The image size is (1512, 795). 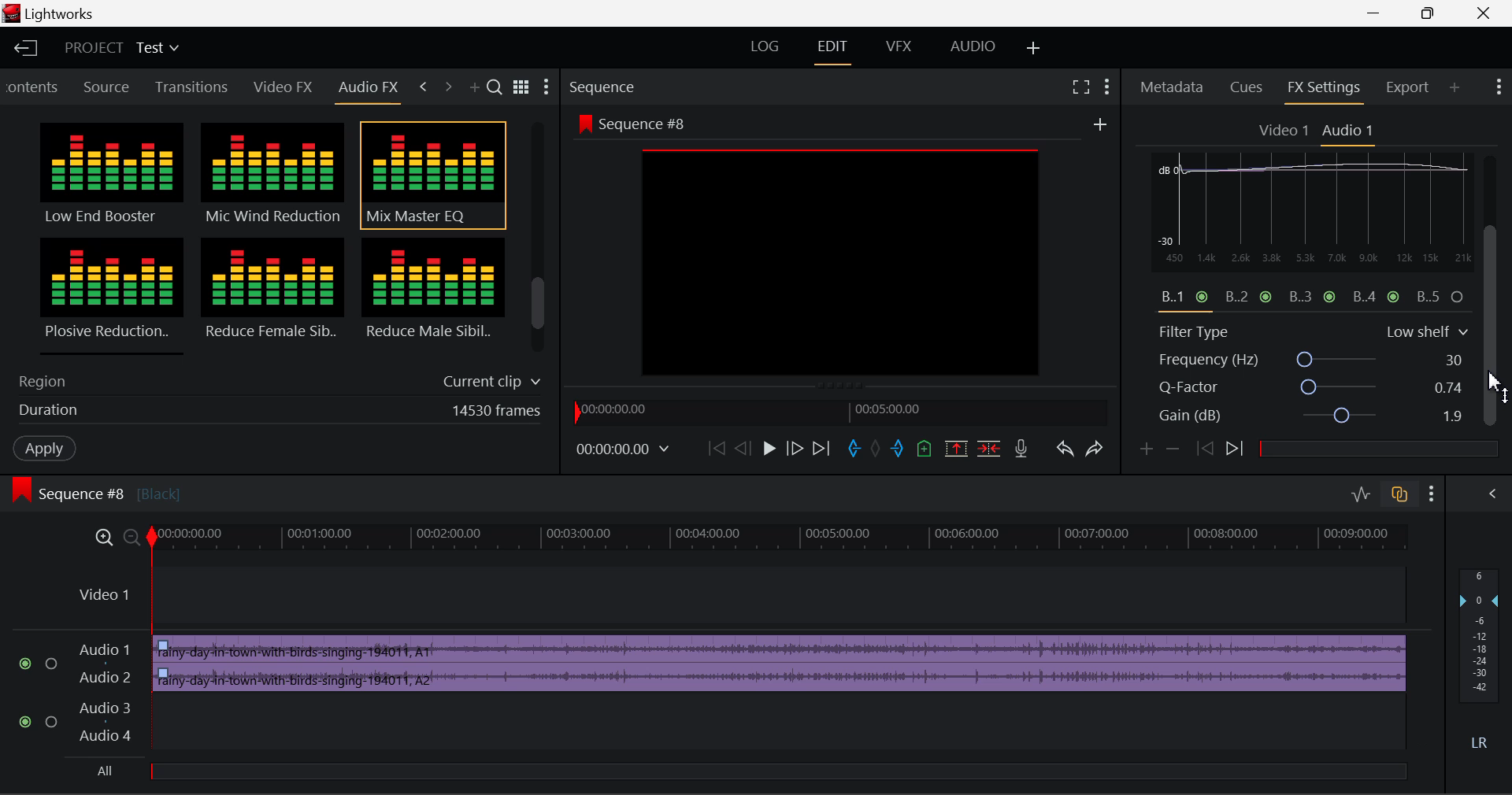 I want to click on Undo, so click(x=1067, y=453).